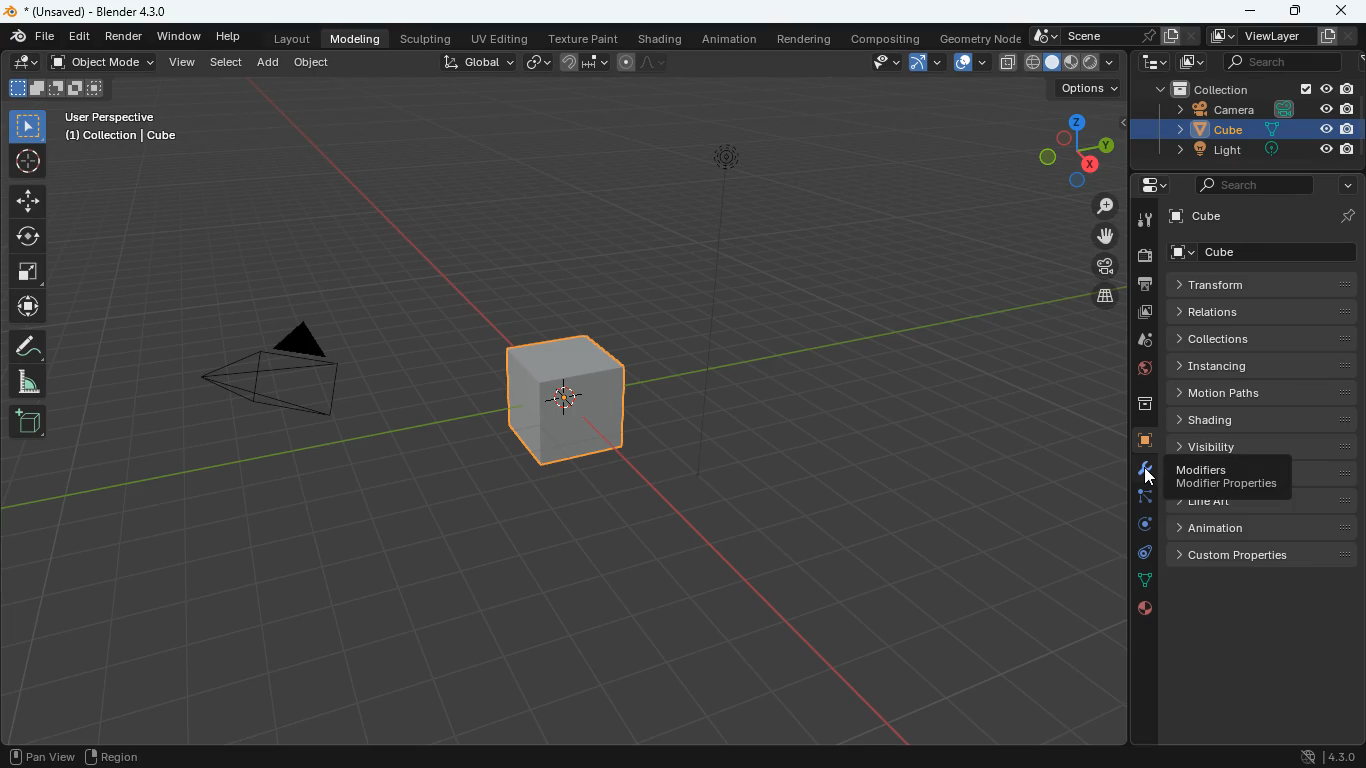  Describe the element at coordinates (732, 39) in the screenshot. I see `animation` at that location.